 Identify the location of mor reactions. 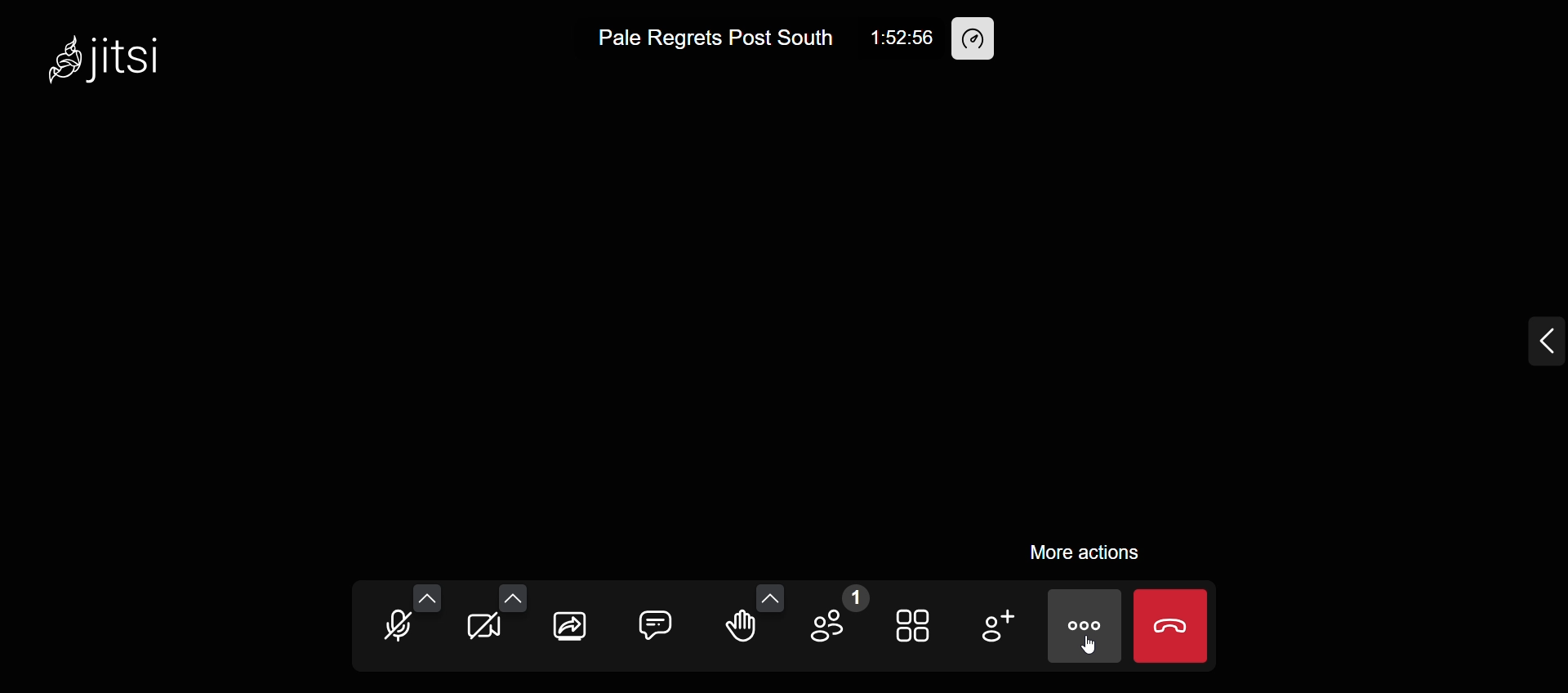
(769, 592).